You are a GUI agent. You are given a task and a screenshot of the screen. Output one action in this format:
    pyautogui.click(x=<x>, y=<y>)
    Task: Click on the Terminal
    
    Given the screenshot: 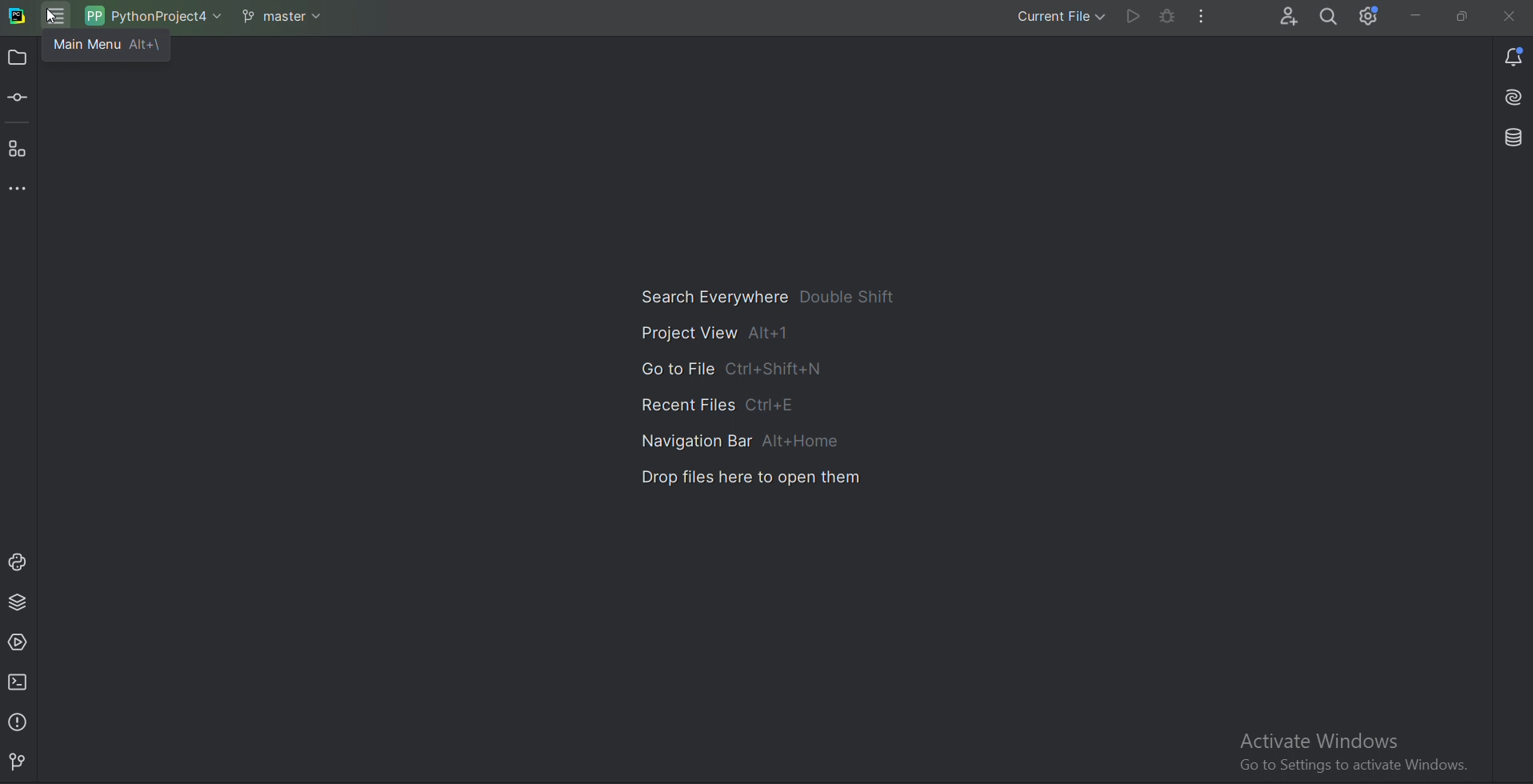 What is the action you would take?
    pyautogui.click(x=23, y=682)
    